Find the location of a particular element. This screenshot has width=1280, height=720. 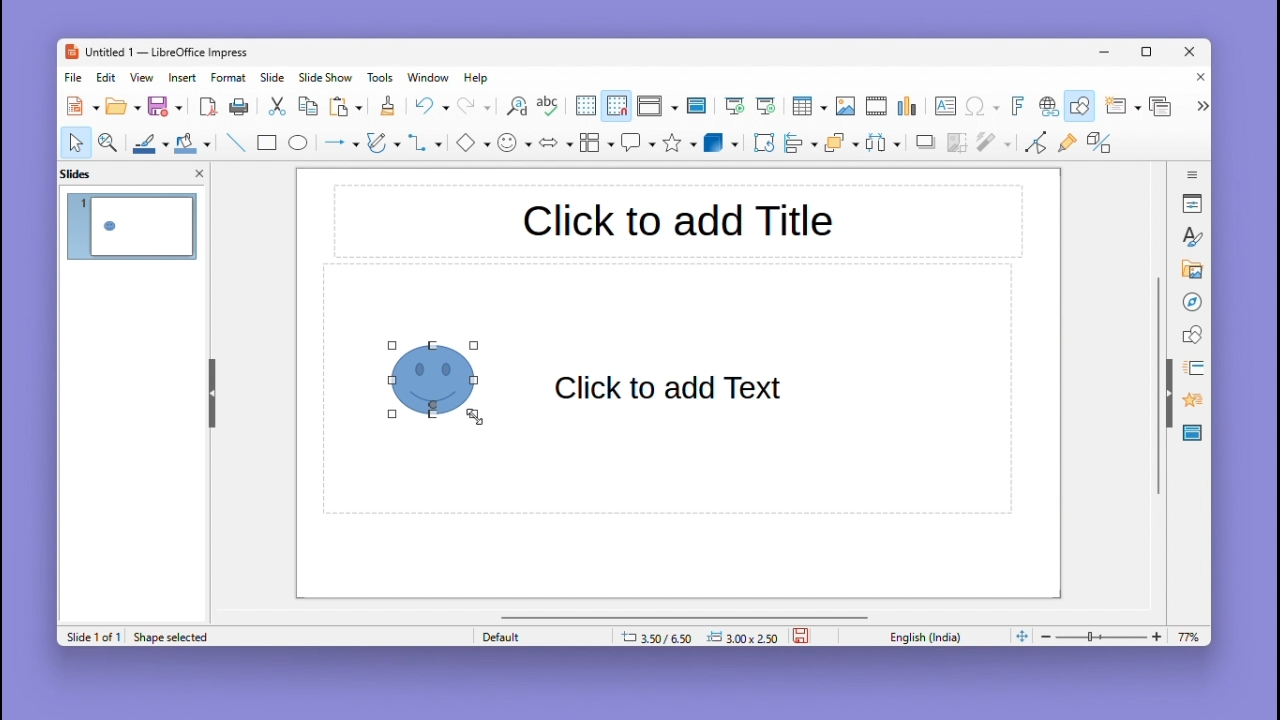

copy format is located at coordinates (386, 108).